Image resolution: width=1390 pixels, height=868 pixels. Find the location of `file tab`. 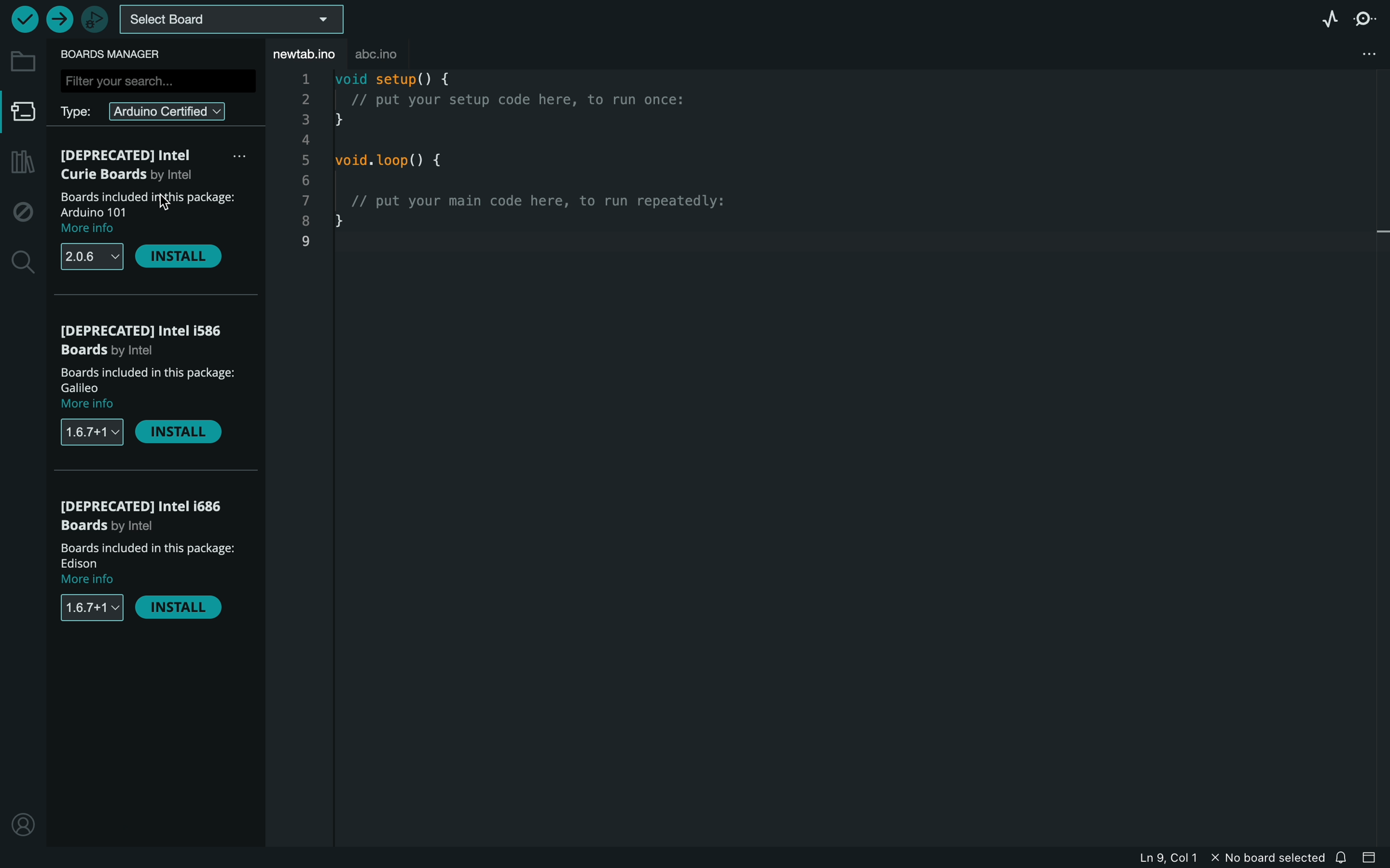

file tab is located at coordinates (302, 53).